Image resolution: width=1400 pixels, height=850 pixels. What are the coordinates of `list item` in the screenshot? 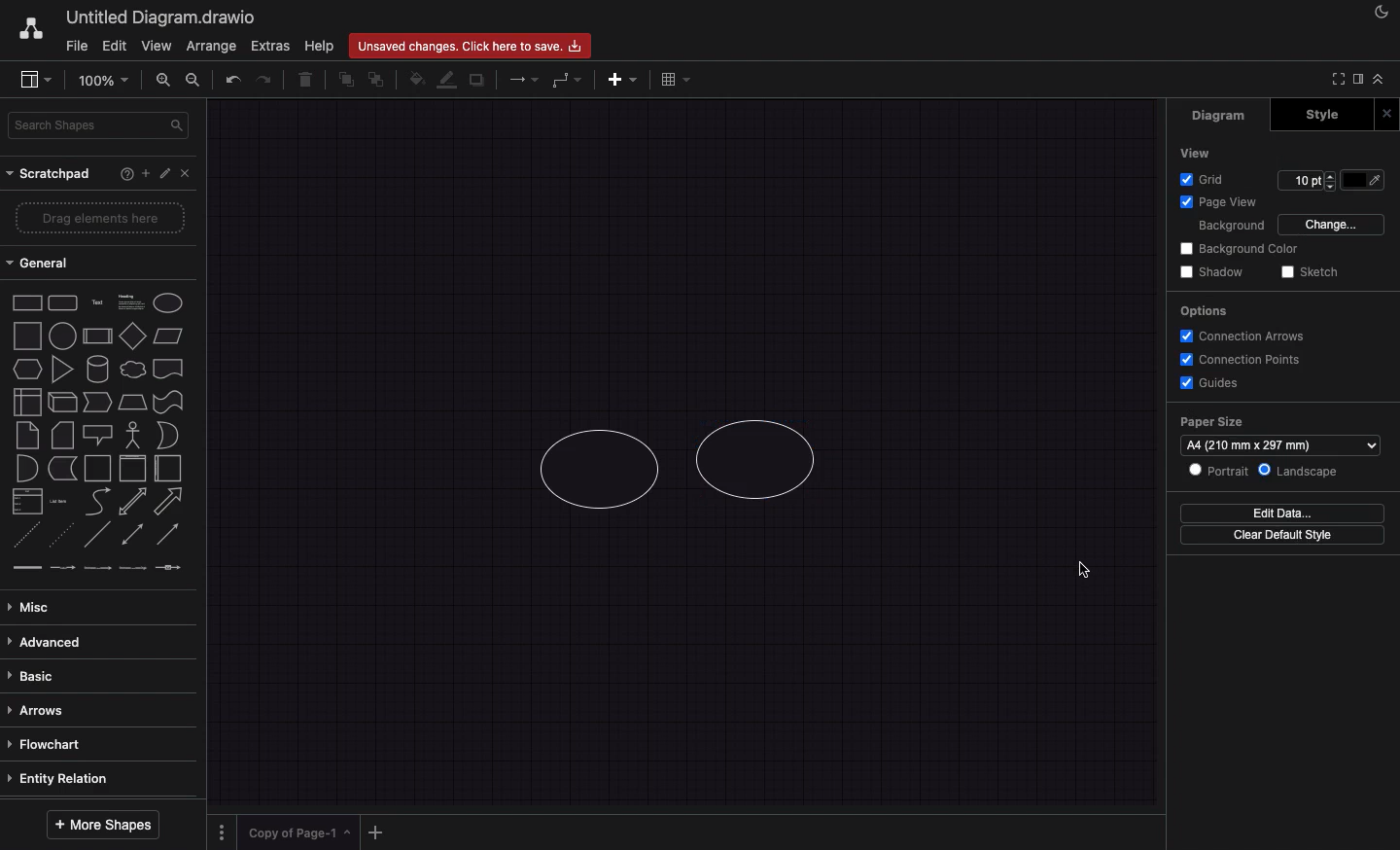 It's located at (58, 502).